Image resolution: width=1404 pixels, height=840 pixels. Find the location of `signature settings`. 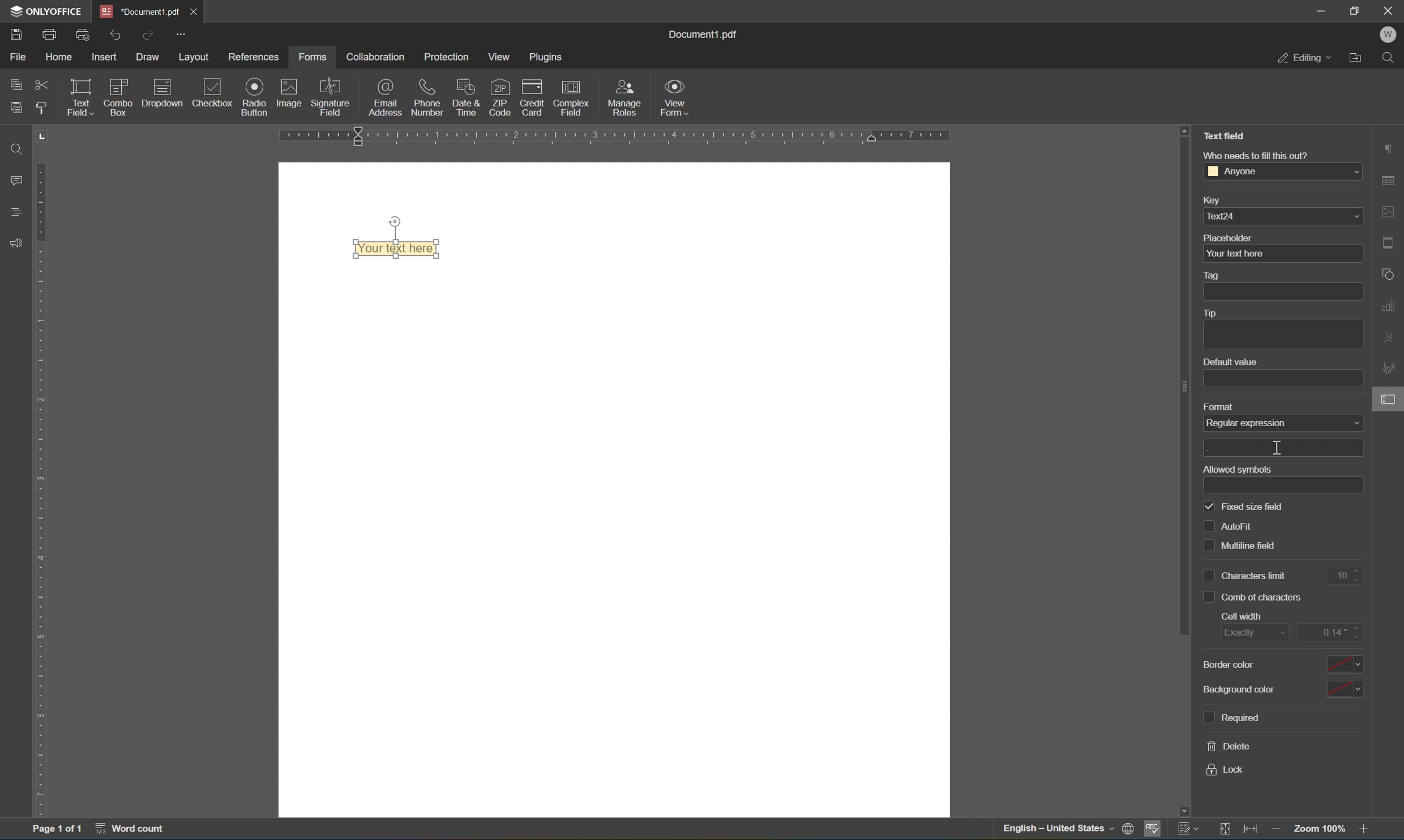

signature settings is located at coordinates (1391, 368).